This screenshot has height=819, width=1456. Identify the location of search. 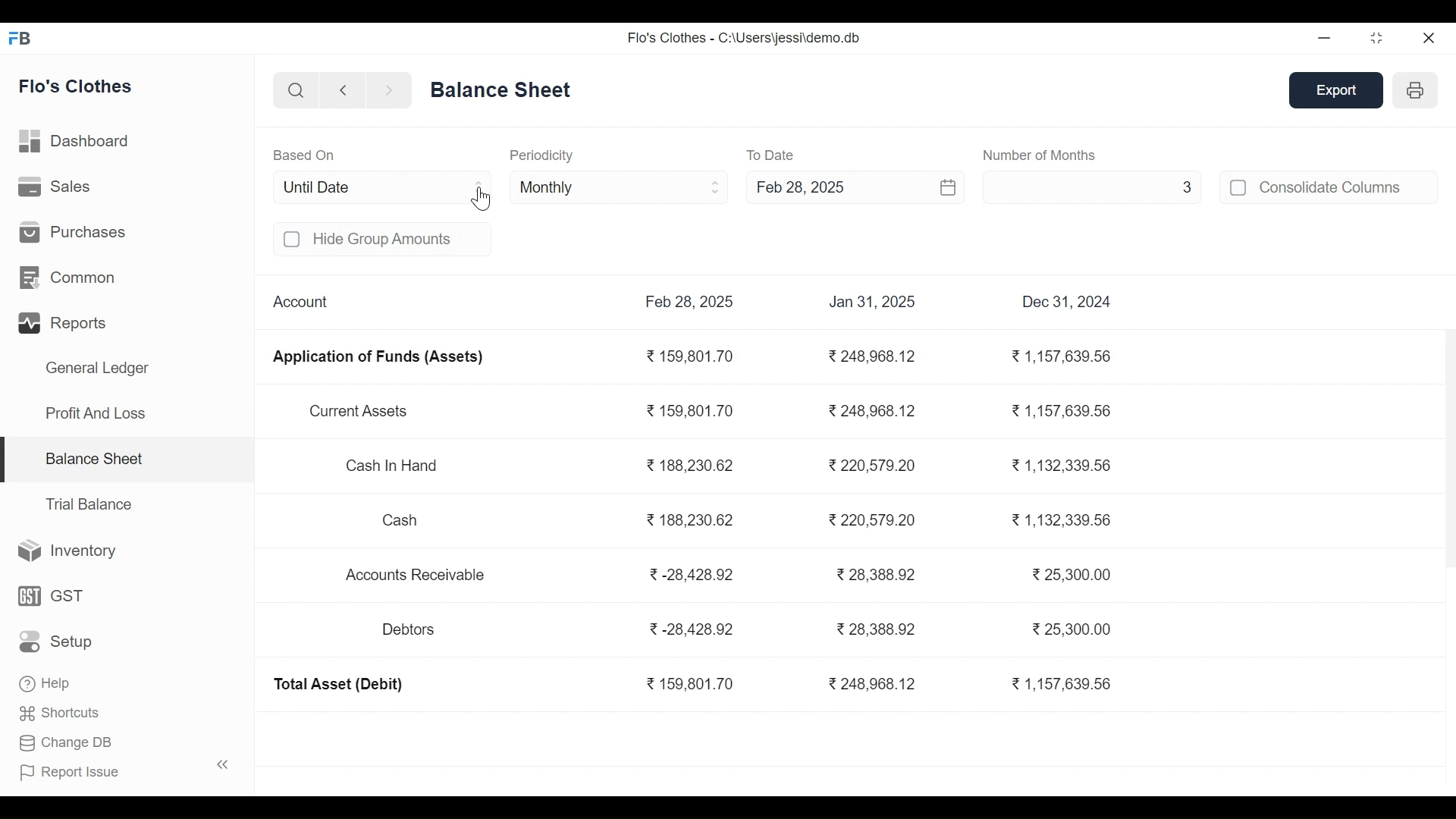
(297, 92).